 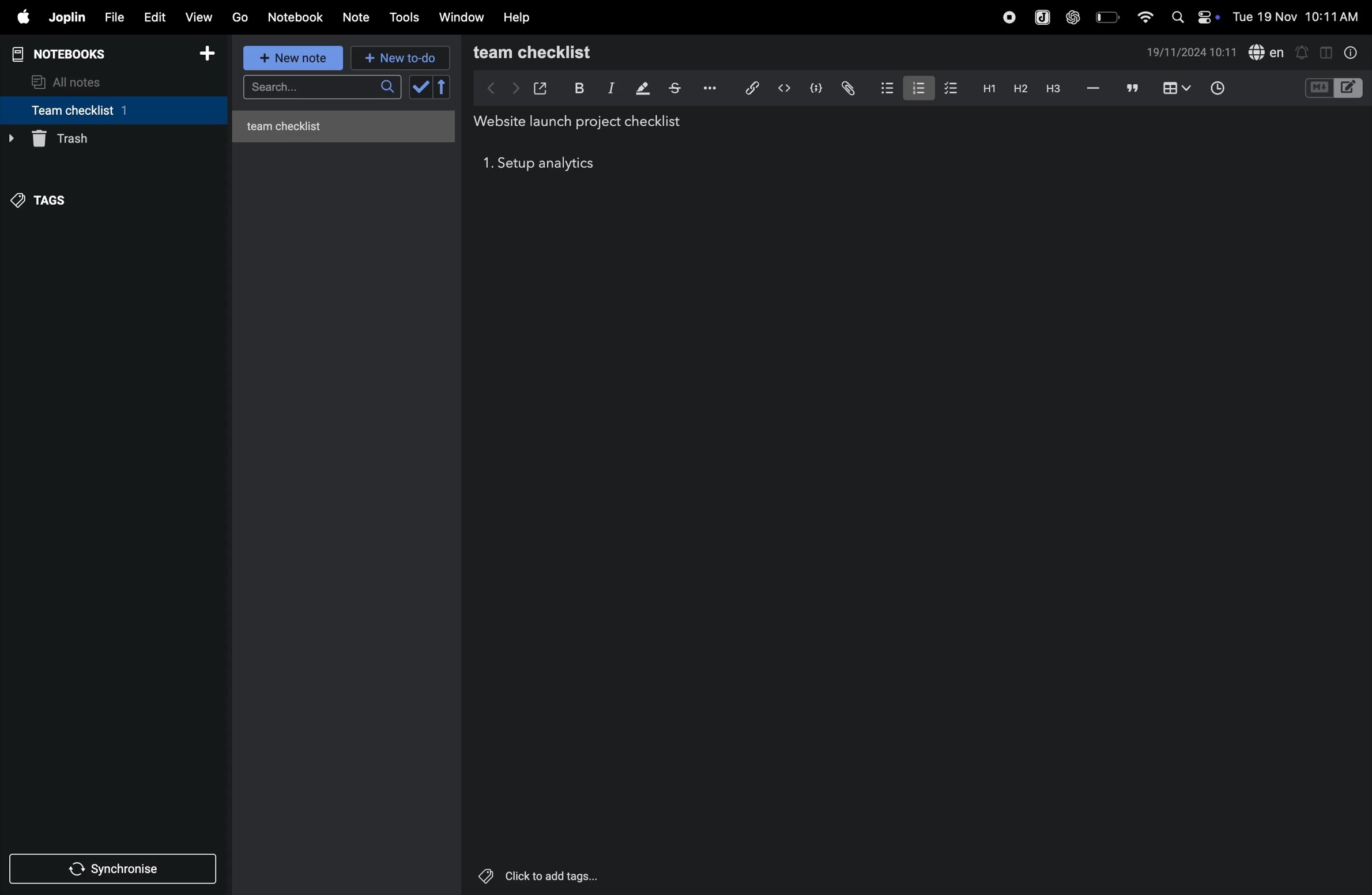 What do you see at coordinates (398, 58) in the screenshot?
I see `new to d0` at bounding box center [398, 58].